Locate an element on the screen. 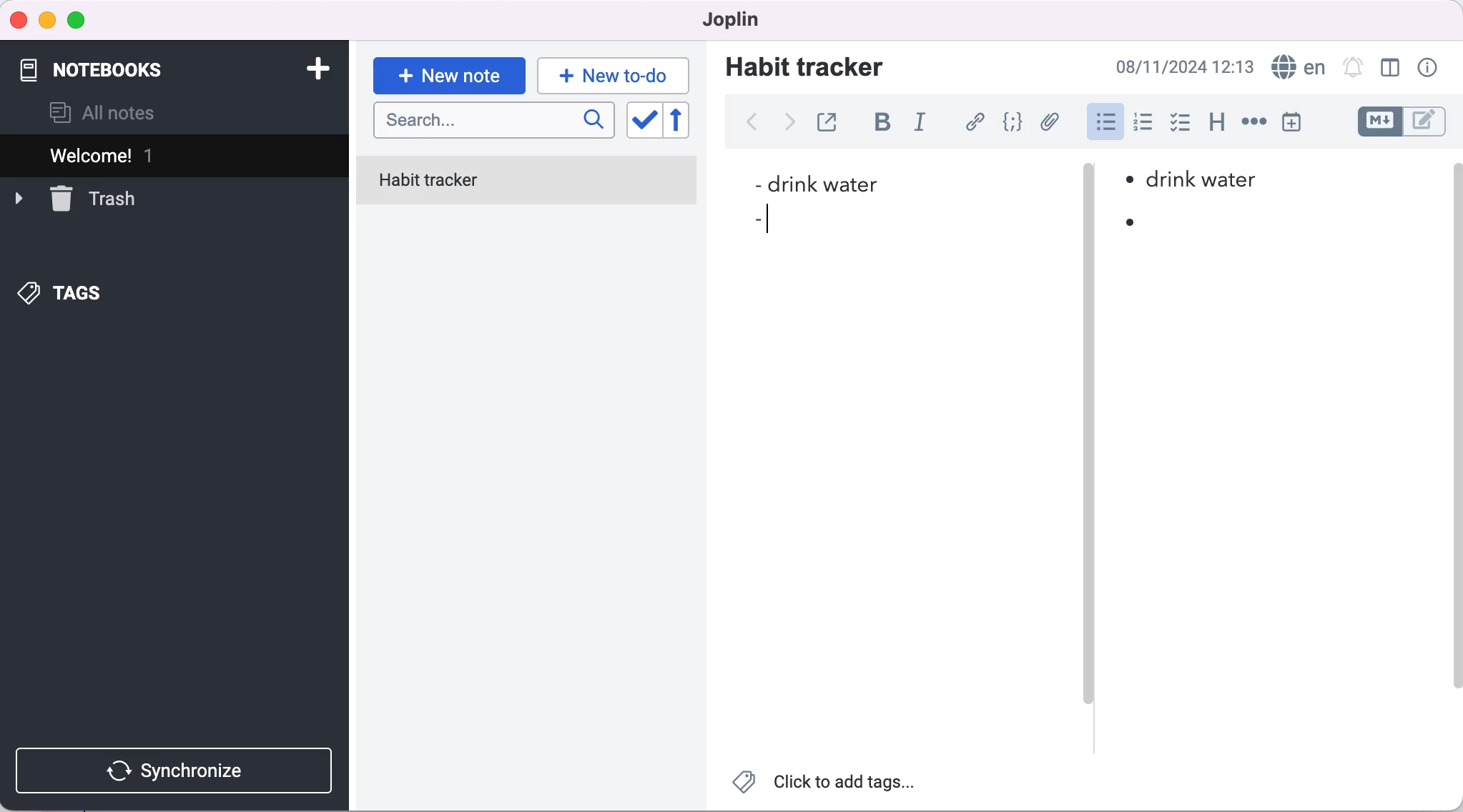  maximize is located at coordinates (79, 21).